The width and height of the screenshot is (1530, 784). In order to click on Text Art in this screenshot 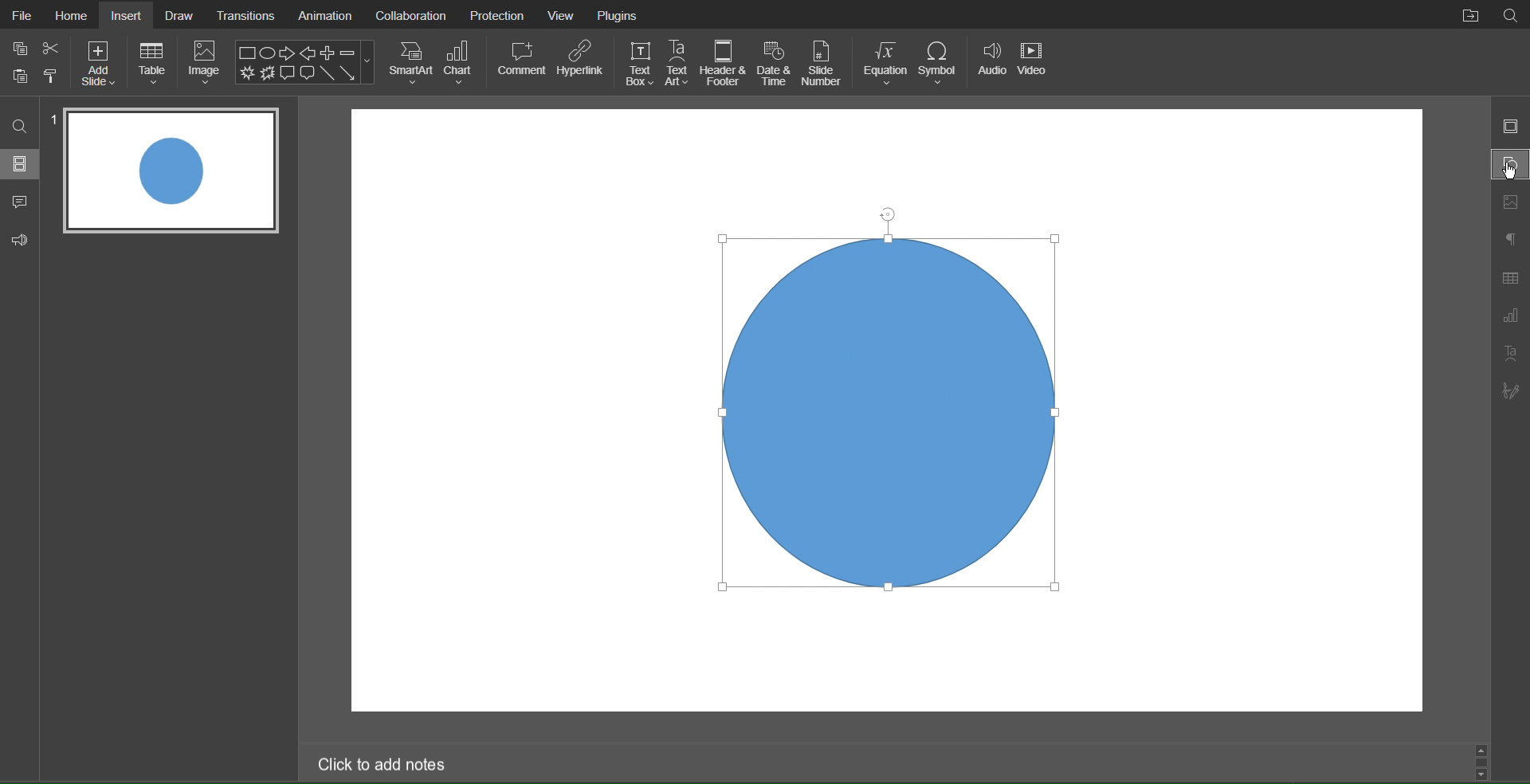, I will do `click(681, 62)`.